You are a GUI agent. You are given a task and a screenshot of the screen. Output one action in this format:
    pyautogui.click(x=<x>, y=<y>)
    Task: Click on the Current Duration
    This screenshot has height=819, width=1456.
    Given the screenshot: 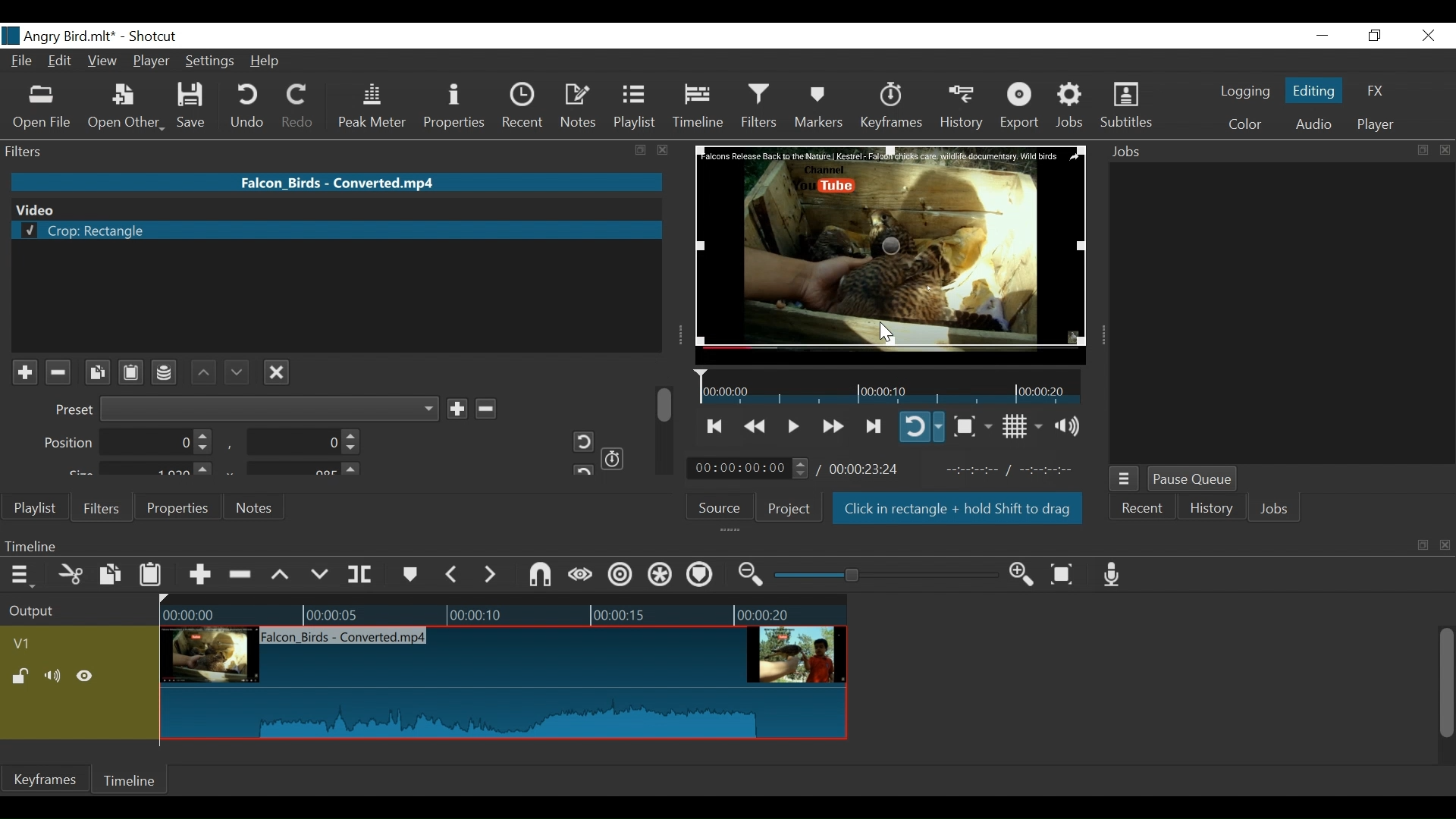 What is the action you would take?
    pyautogui.click(x=748, y=467)
    